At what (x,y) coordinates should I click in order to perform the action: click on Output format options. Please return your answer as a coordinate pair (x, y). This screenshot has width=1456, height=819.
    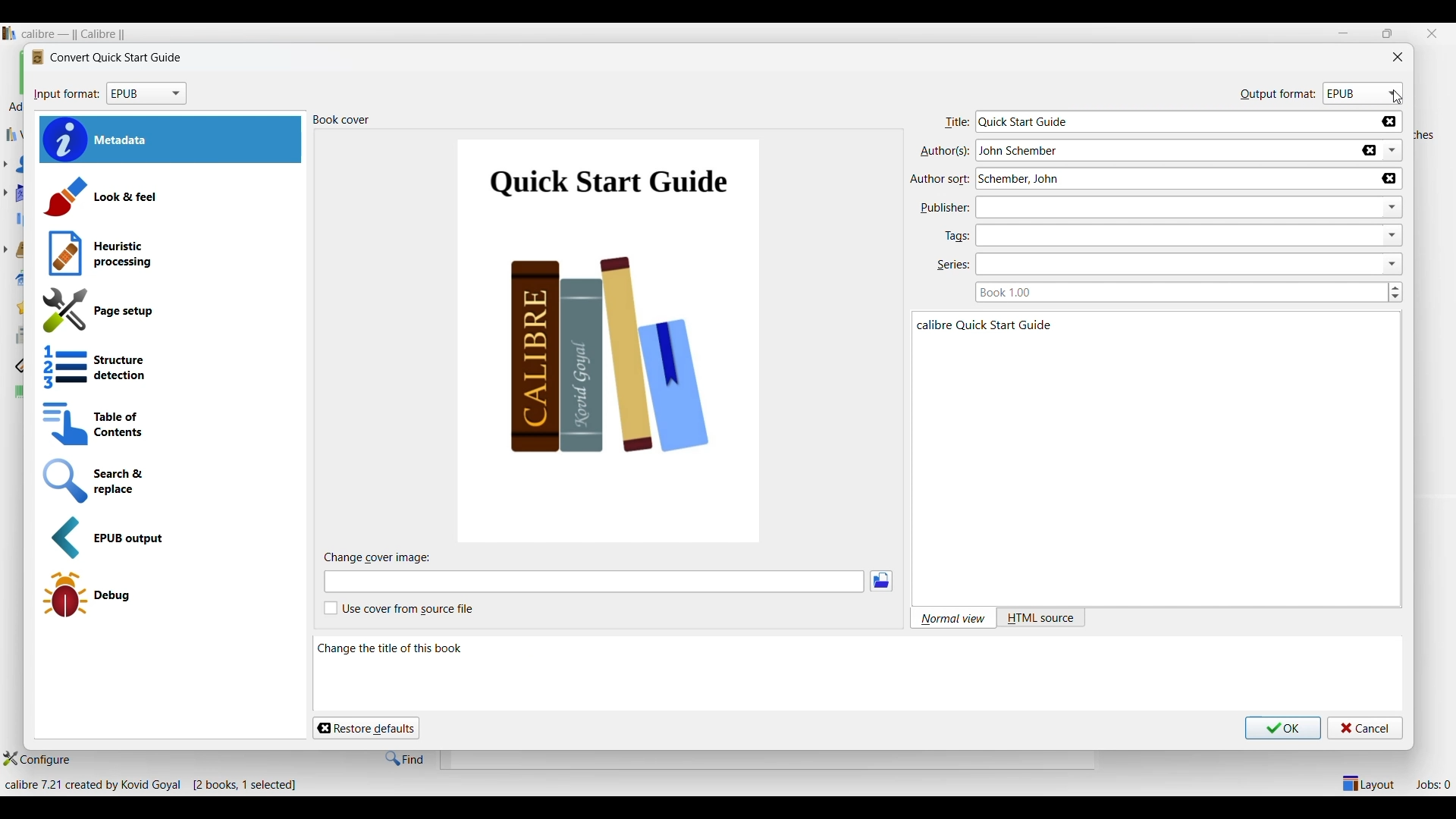
    Looking at the image, I should click on (1365, 95).